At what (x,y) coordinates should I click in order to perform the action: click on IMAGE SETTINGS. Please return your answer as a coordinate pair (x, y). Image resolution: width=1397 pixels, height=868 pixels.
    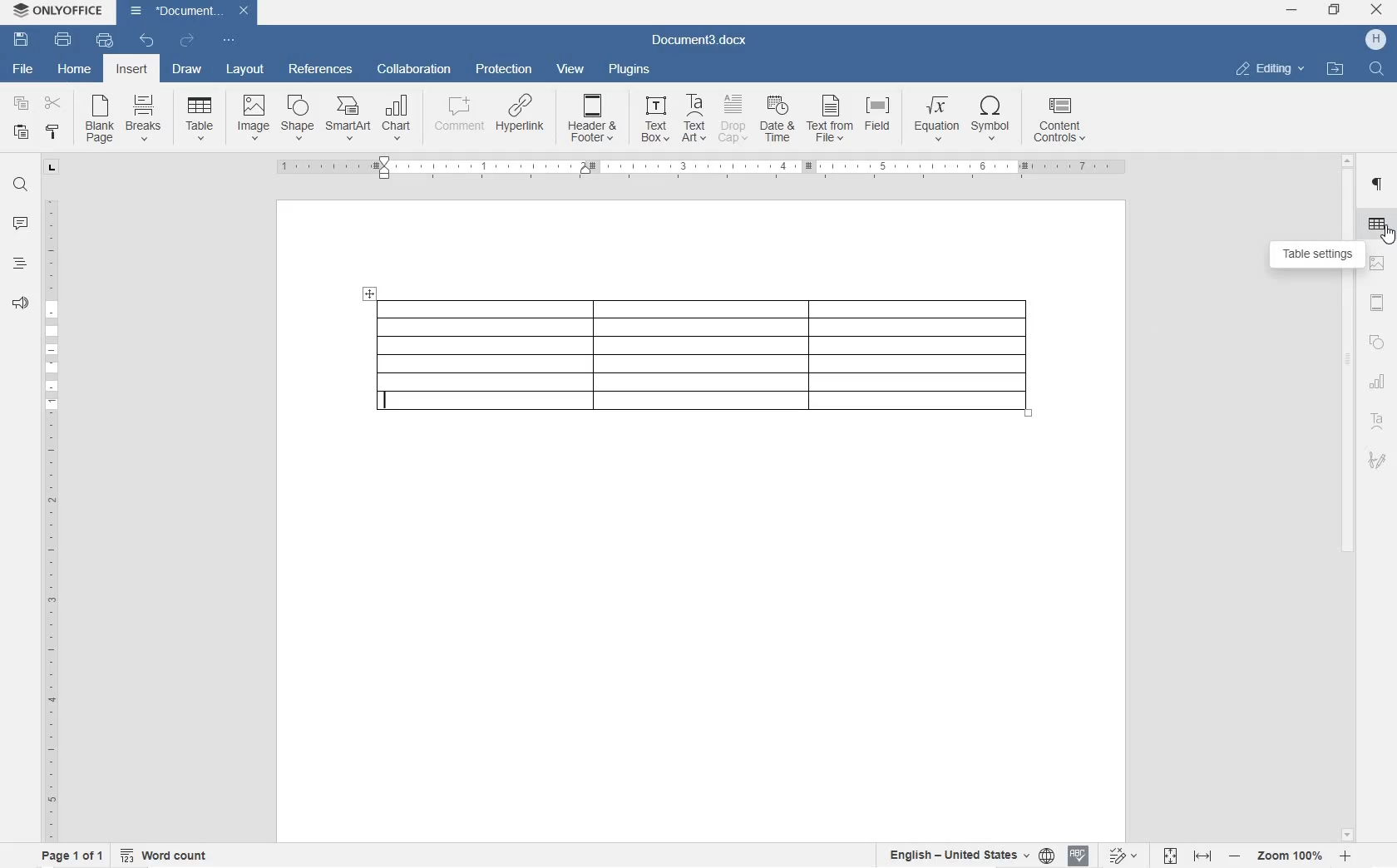
    Looking at the image, I should click on (1379, 264).